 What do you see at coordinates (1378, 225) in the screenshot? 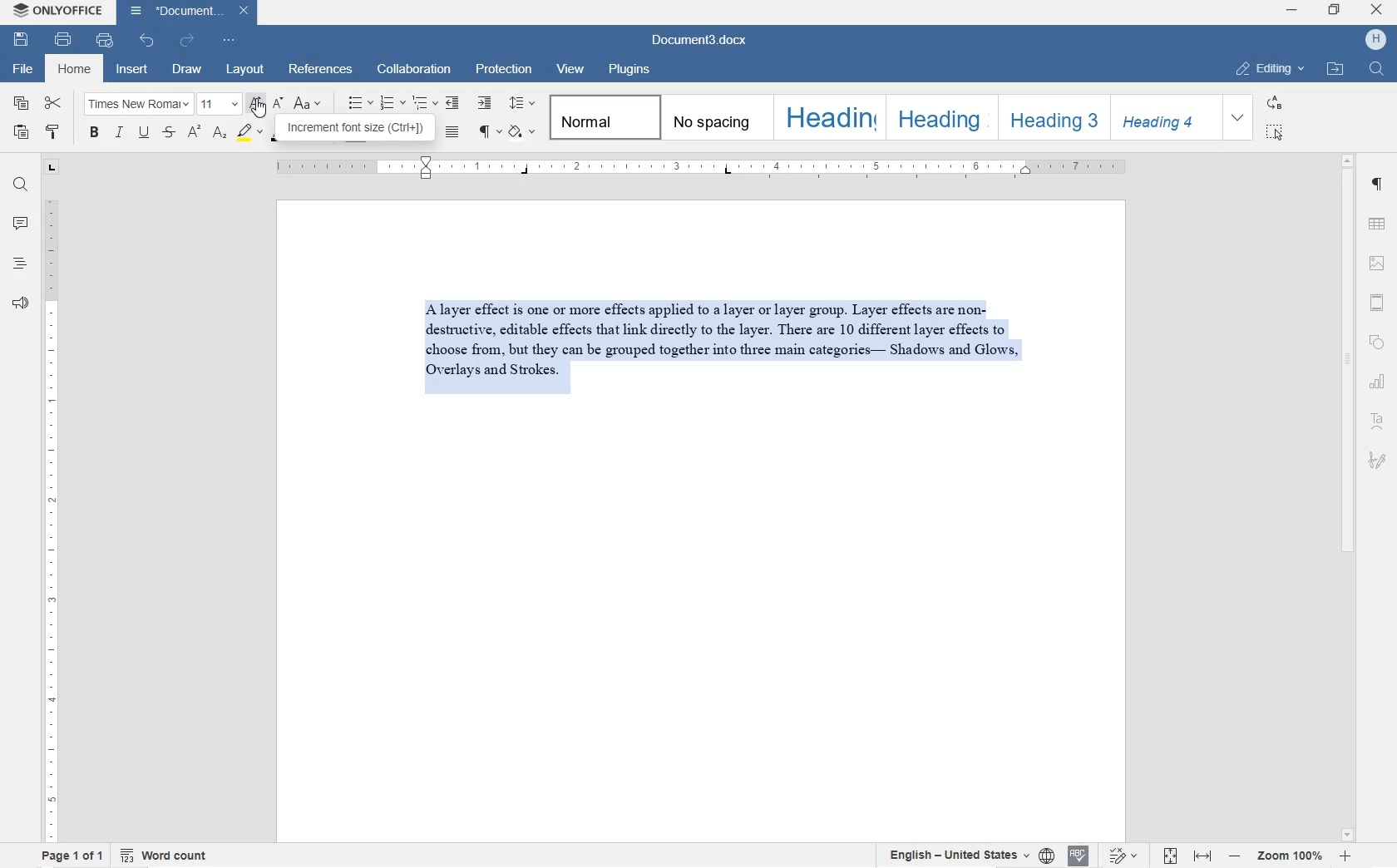
I see `TABLE` at bounding box center [1378, 225].